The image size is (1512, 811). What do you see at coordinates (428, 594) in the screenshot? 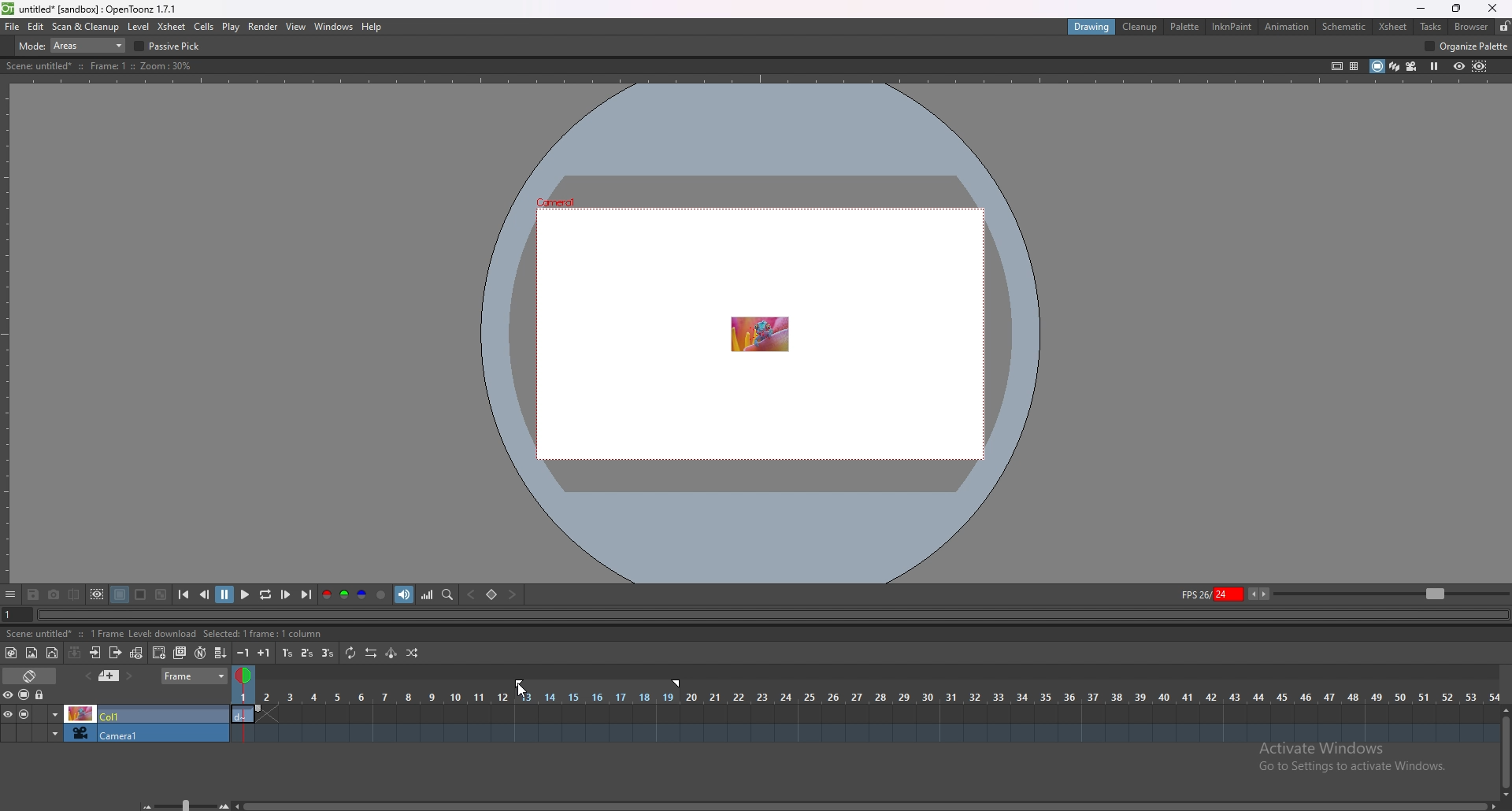
I see `histogram` at bounding box center [428, 594].